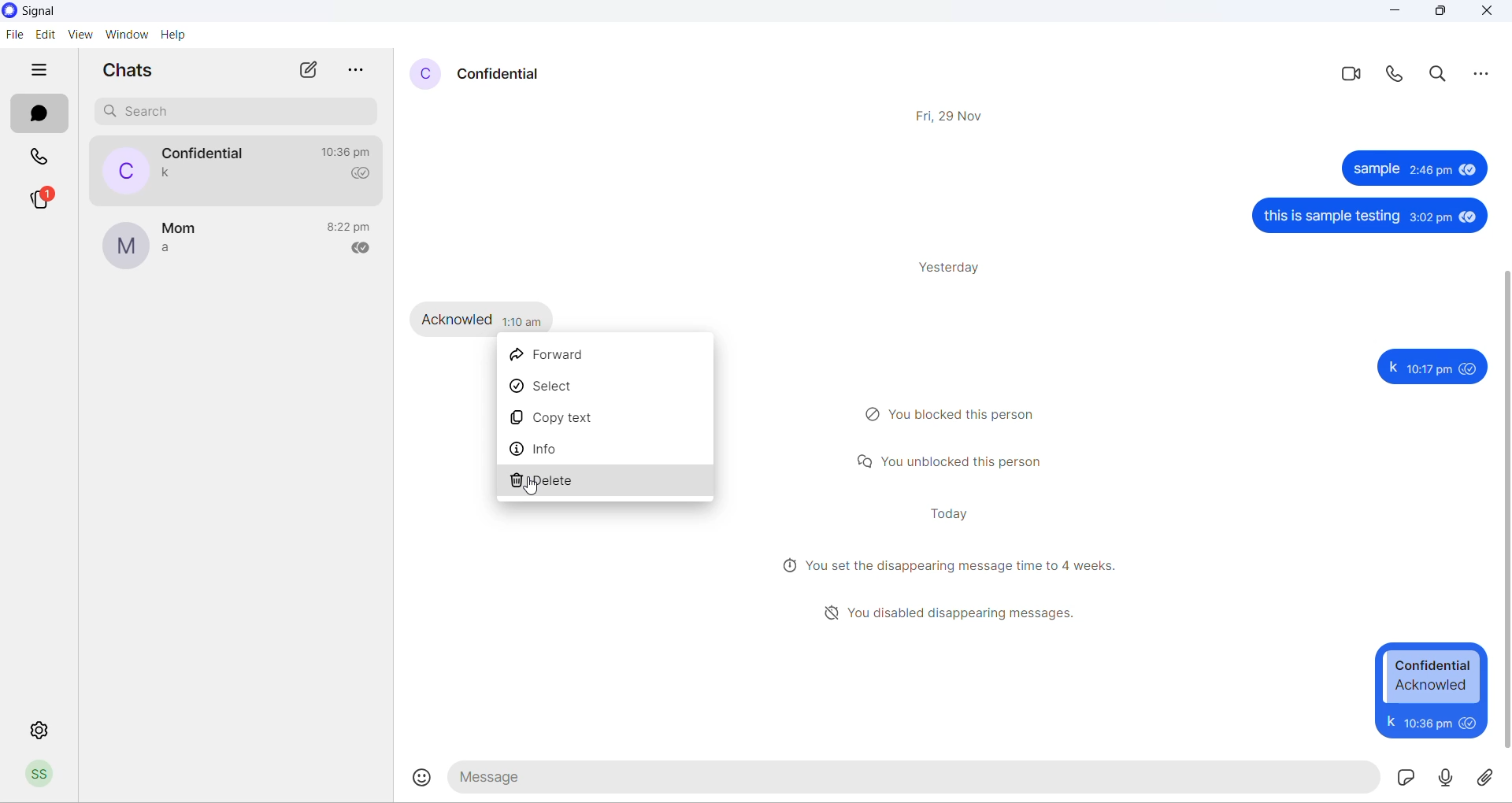 The width and height of the screenshot is (1512, 803). What do you see at coordinates (946, 568) in the screenshot?
I see `disappearing messages notification` at bounding box center [946, 568].